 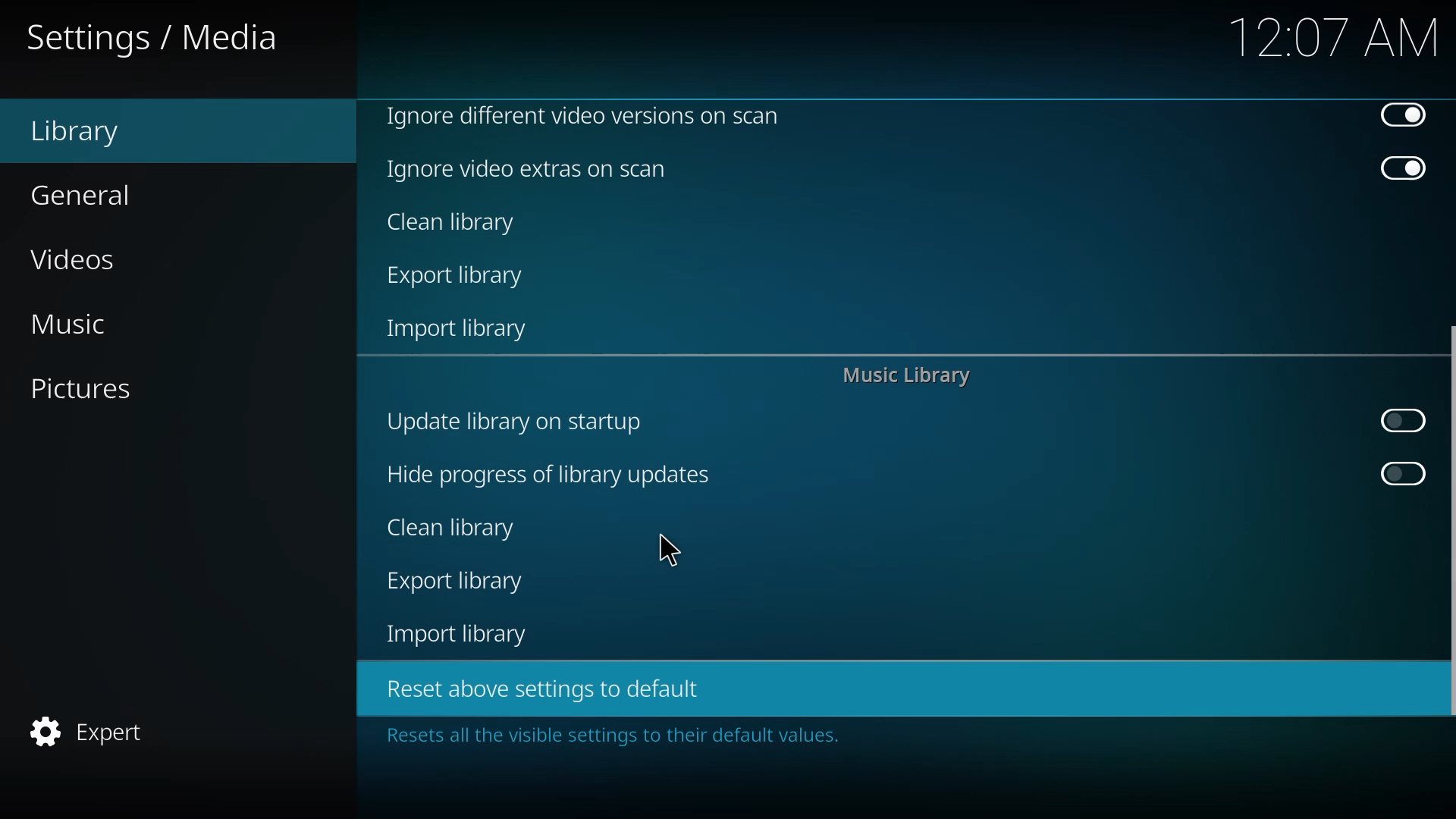 I want to click on clean, so click(x=453, y=224).